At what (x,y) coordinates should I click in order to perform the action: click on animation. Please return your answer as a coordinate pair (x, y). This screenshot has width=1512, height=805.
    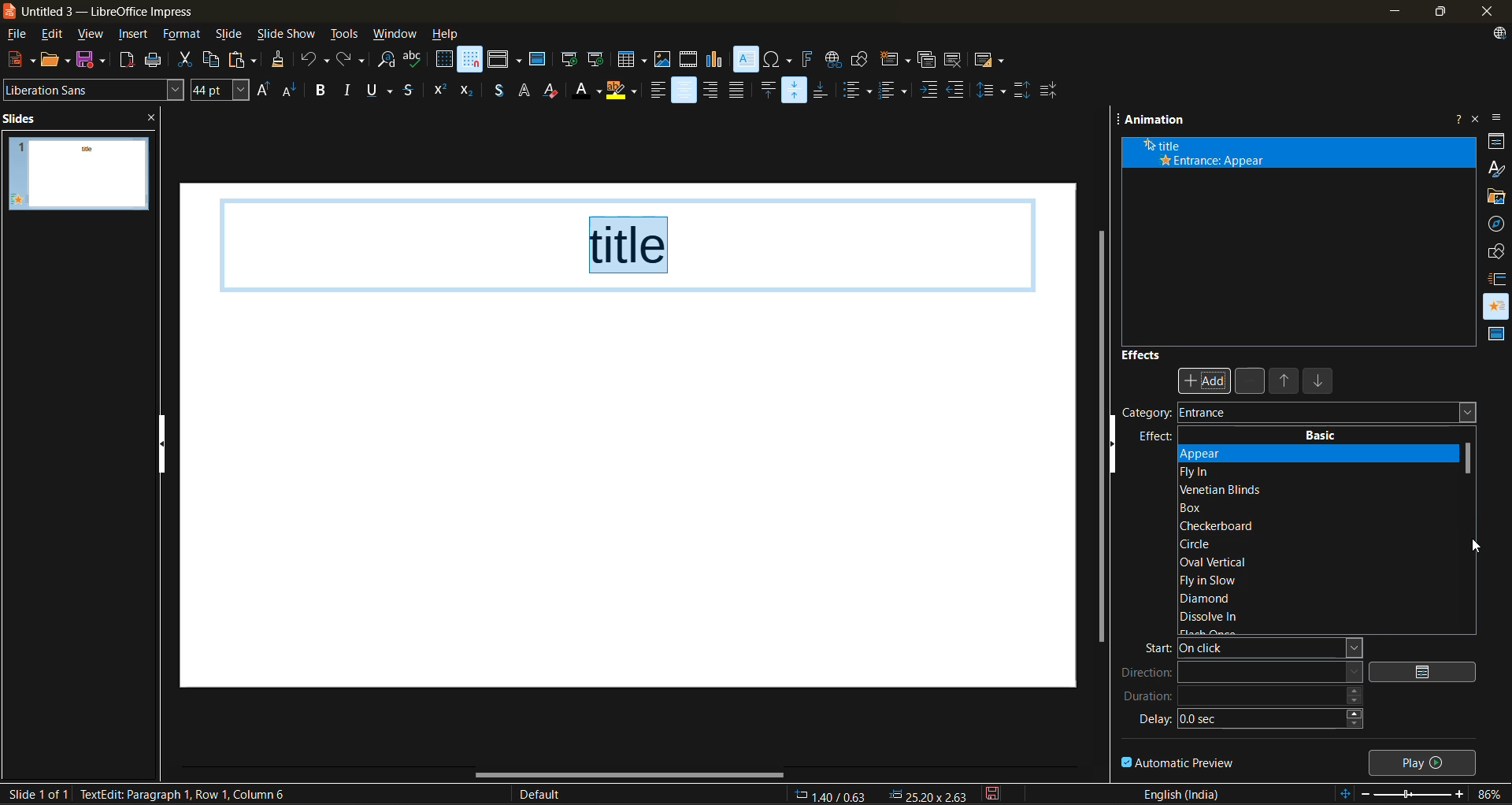
    Looking at the image, I should click on (1497, 302).